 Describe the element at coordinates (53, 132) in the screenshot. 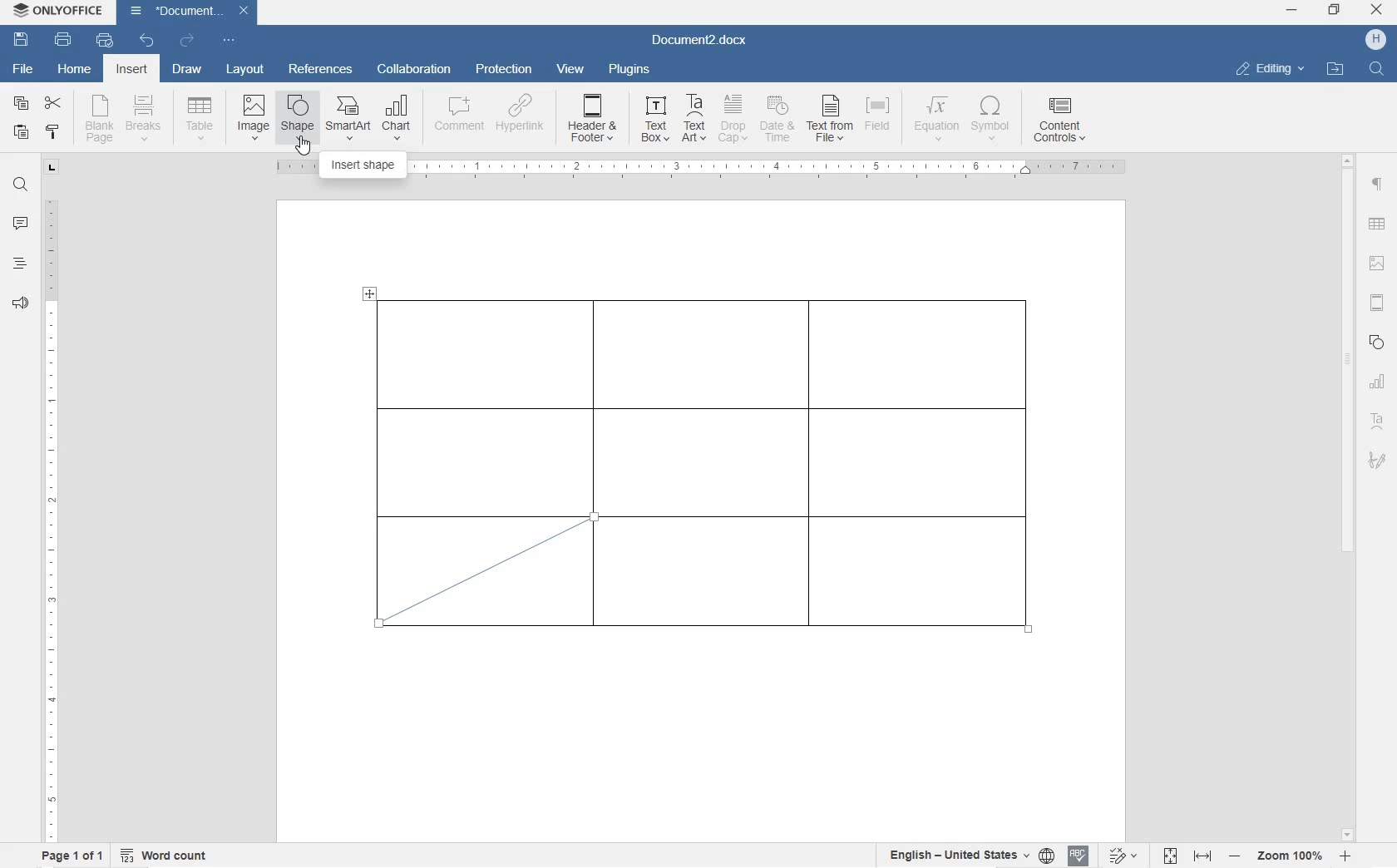

I see `copy style` at that location.